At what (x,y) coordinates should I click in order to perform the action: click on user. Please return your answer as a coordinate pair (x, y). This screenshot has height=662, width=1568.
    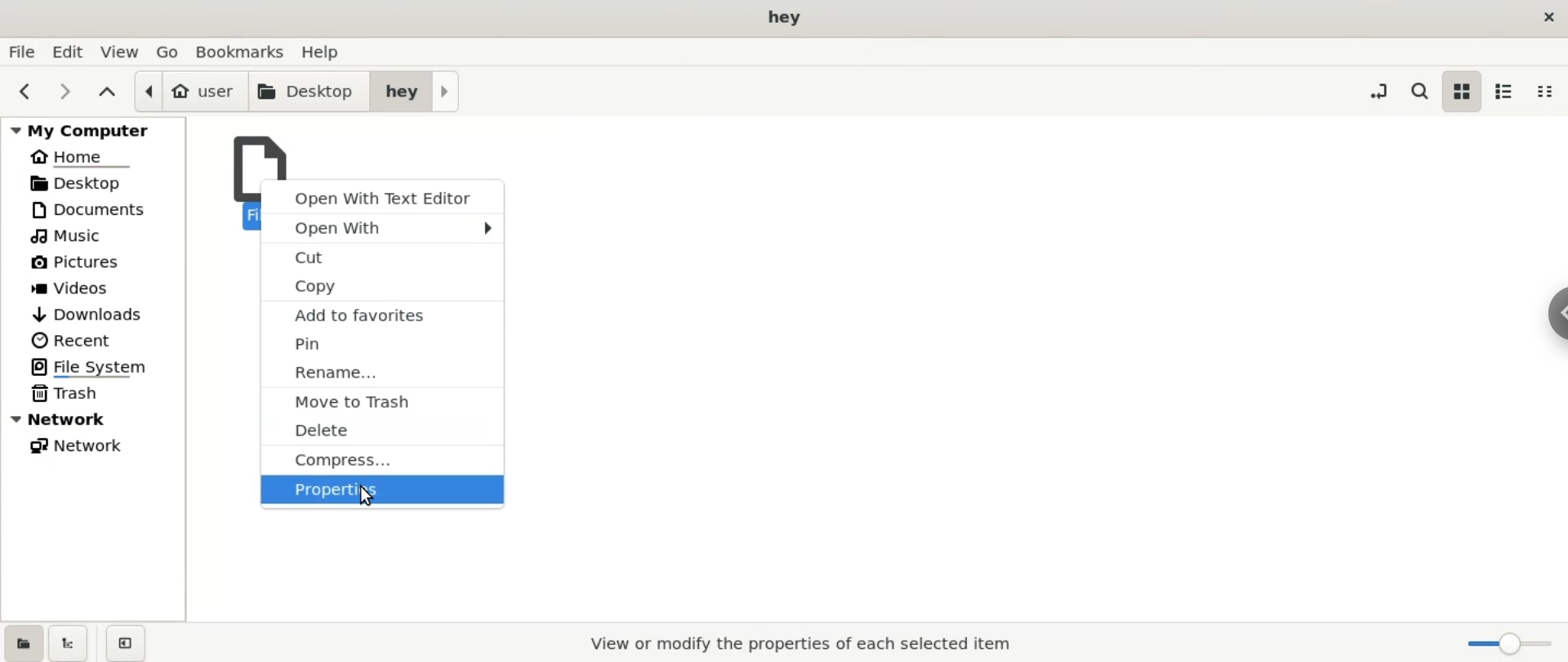
    Looking at the image, I should click on (191, 92).